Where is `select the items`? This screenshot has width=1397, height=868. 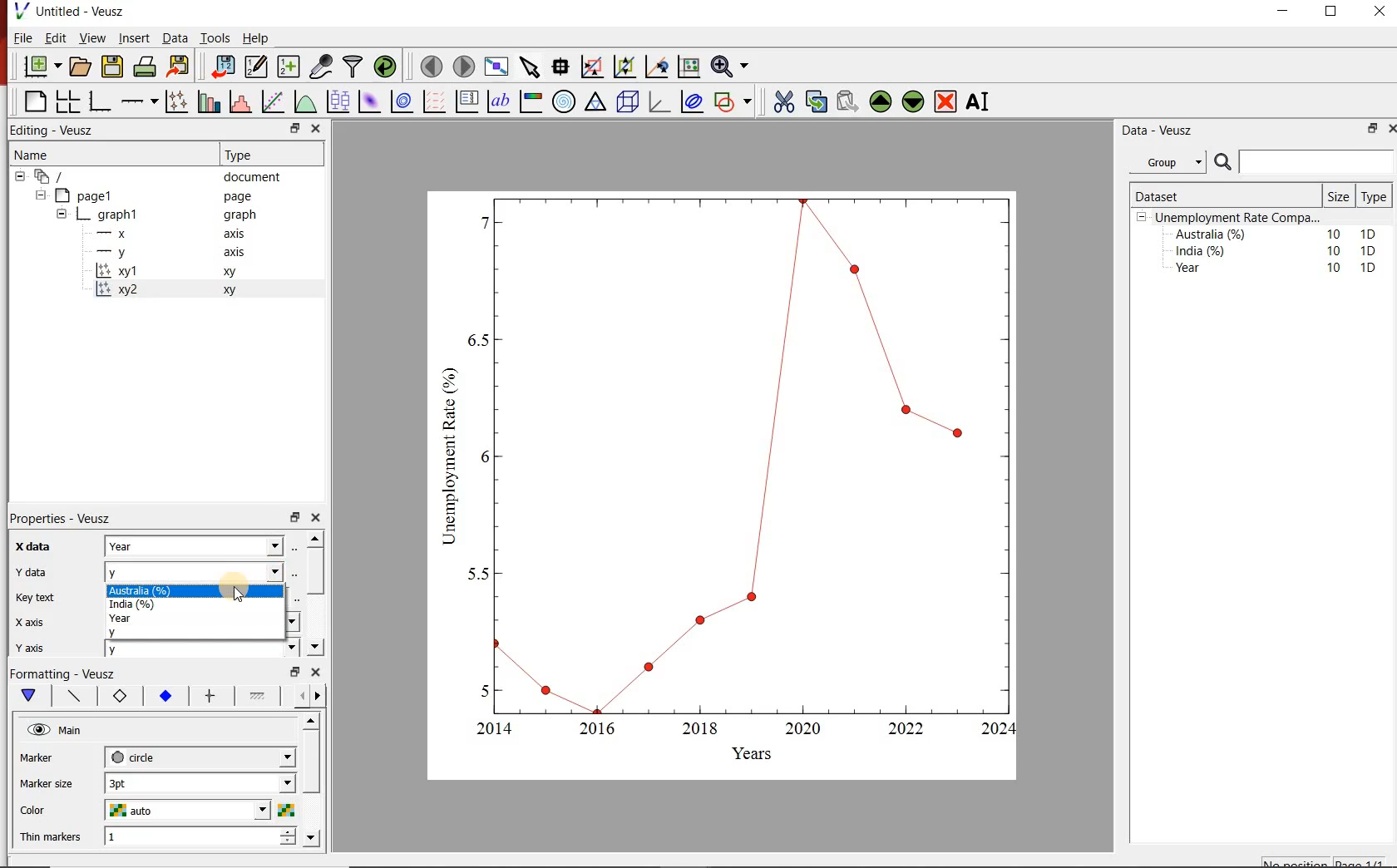 select the items is located at coordinates (531, 65).